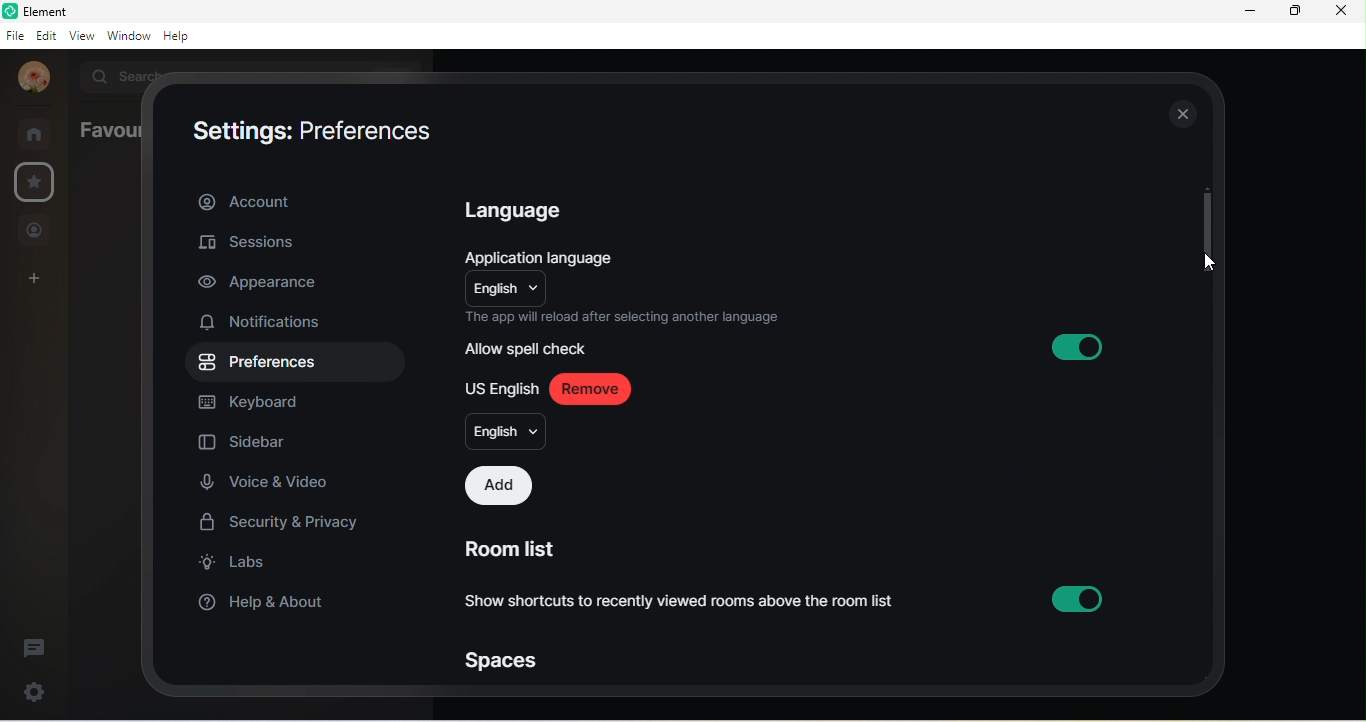 The image size is (1366, 722). What do you see at coordinates (1346, 14) in the screenshot?
I see `close` at bounding box center [1346, 14].